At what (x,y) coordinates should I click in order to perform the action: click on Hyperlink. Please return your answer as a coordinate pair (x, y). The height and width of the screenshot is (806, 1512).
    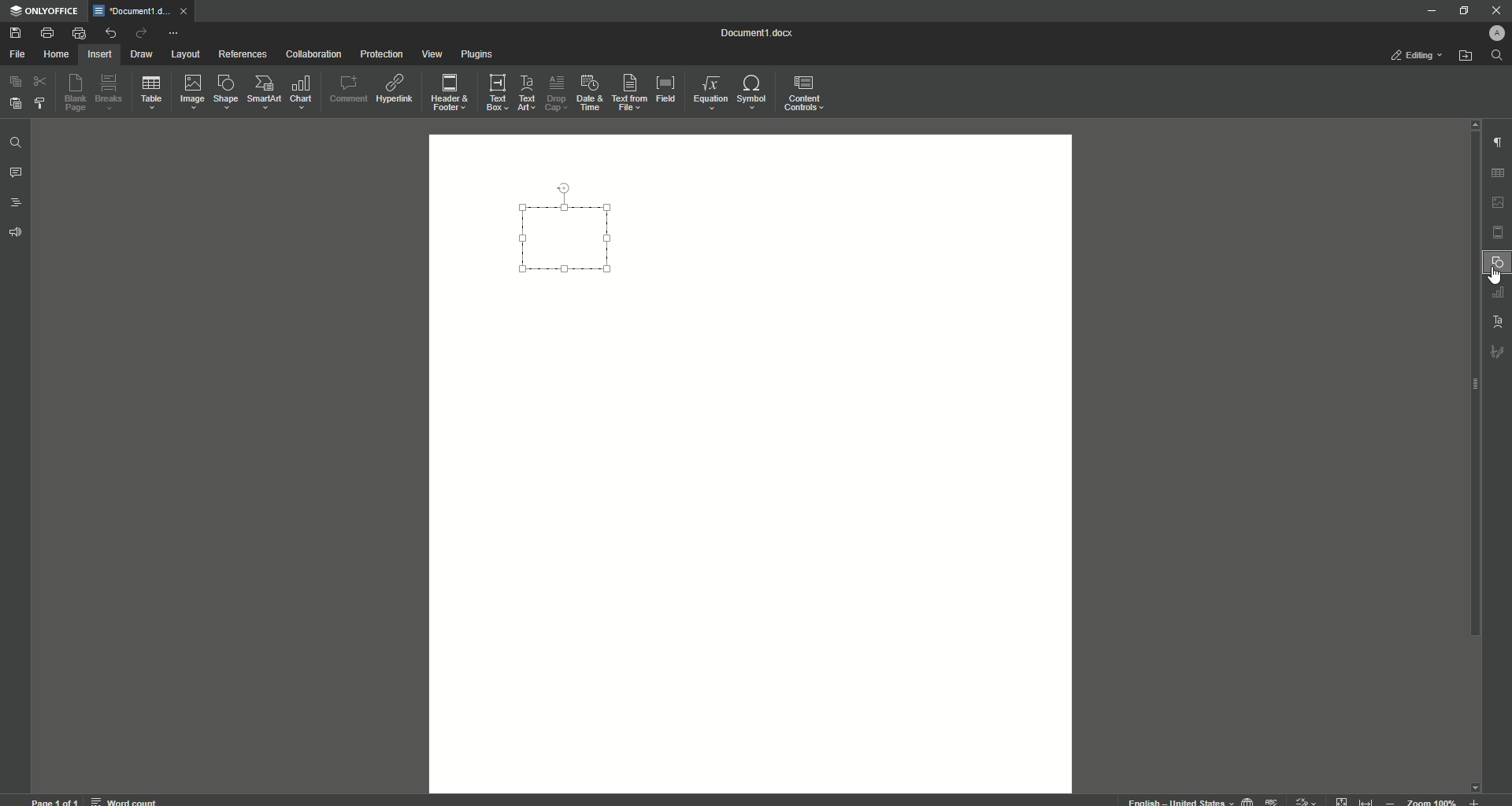
    Looking at the image, I should click on (396, 89).